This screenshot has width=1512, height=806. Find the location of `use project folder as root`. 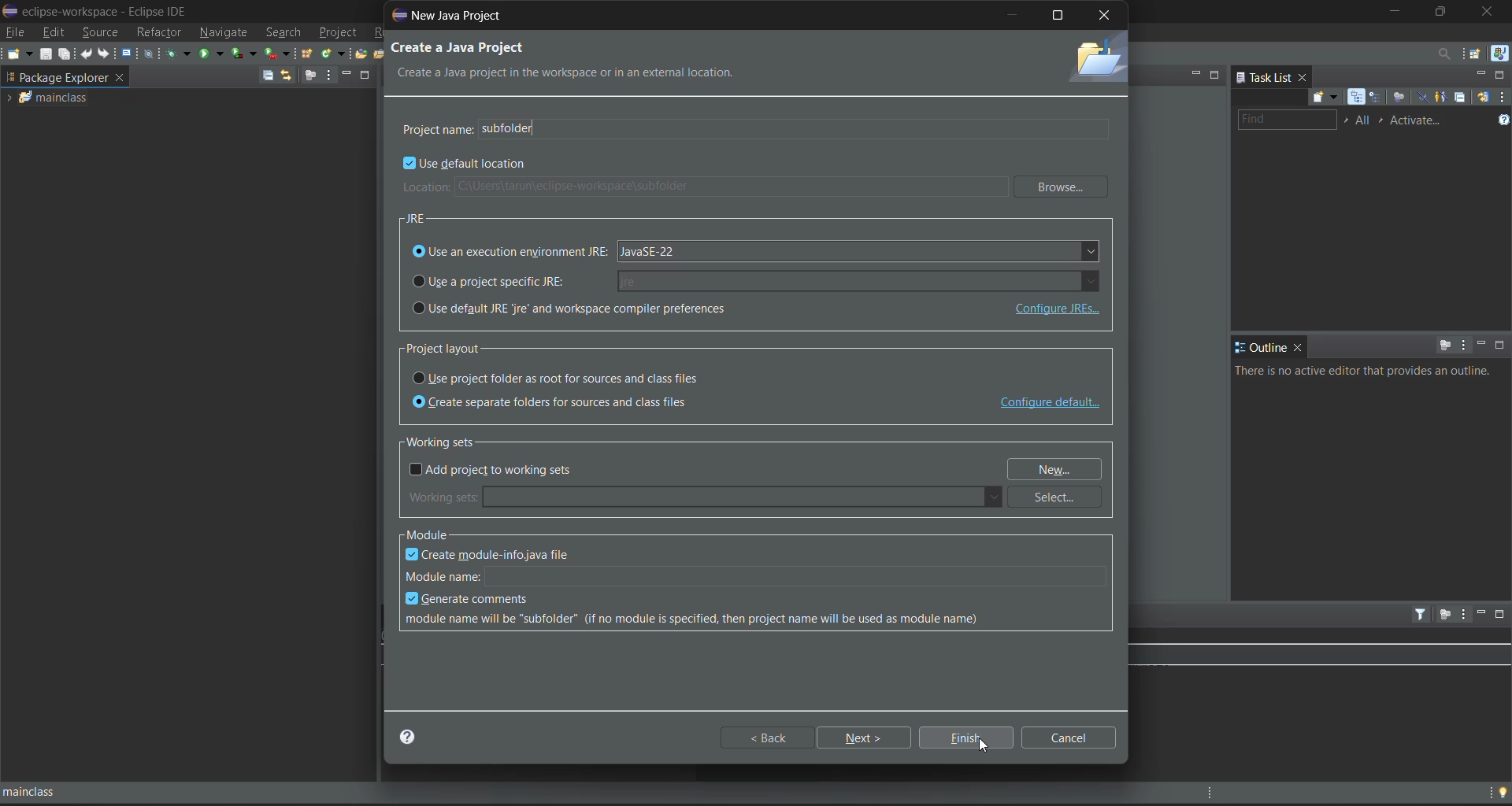

use project folder as root is located at coordinates (565, 378).